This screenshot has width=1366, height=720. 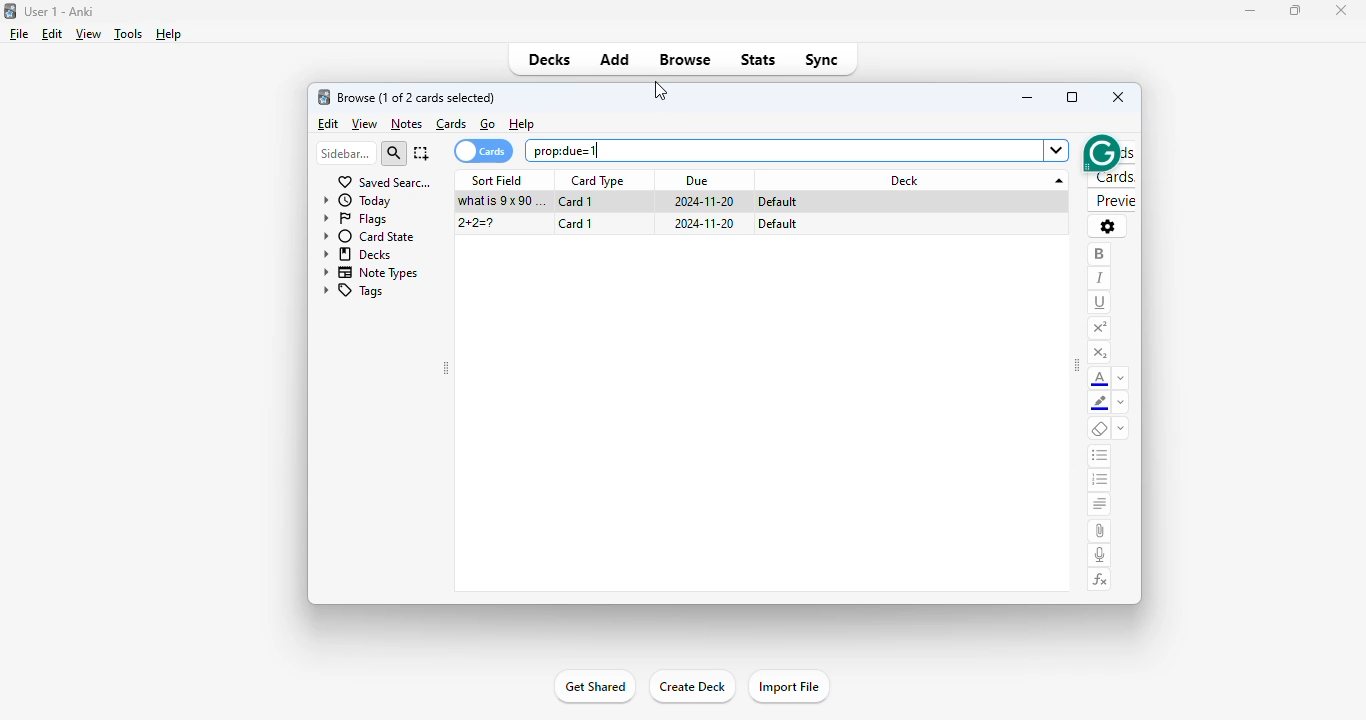 What do you see at coordinates (61, 13) in the screenshot?
I see `User 1 - Anki` at bounding box center [61, 13].